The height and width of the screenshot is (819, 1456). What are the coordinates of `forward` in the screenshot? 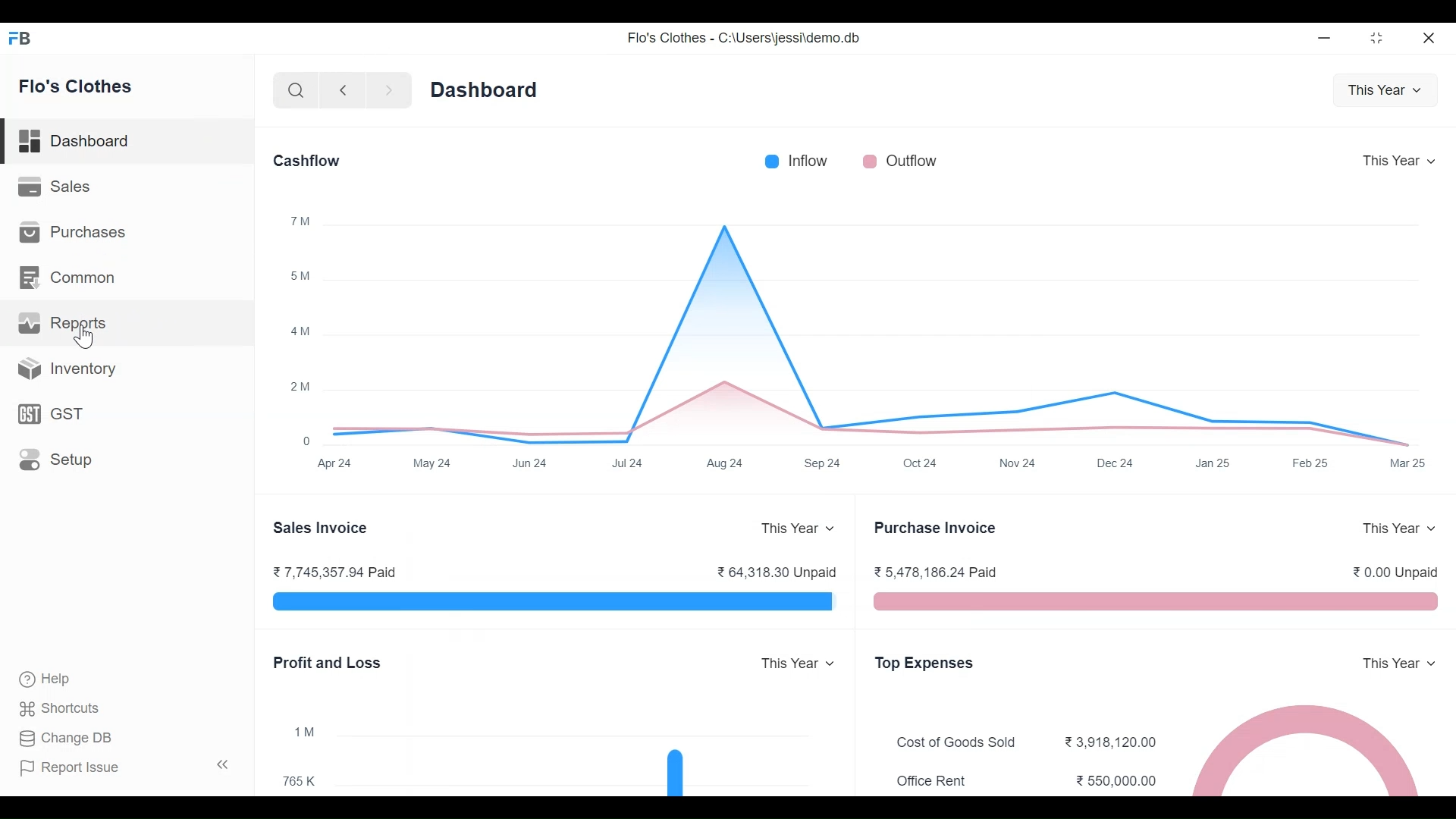 It's located at (389, 91).